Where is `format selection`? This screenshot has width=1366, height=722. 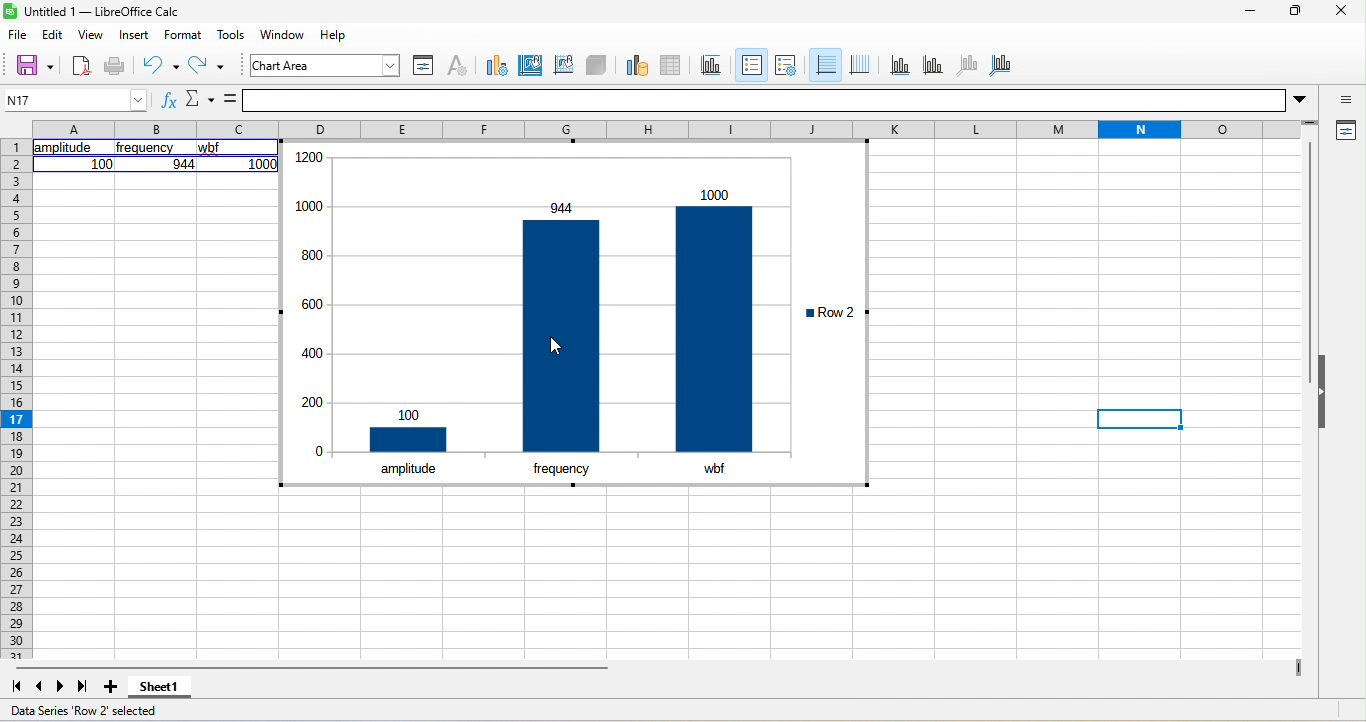
format selection is located at coordinates (426, 66).